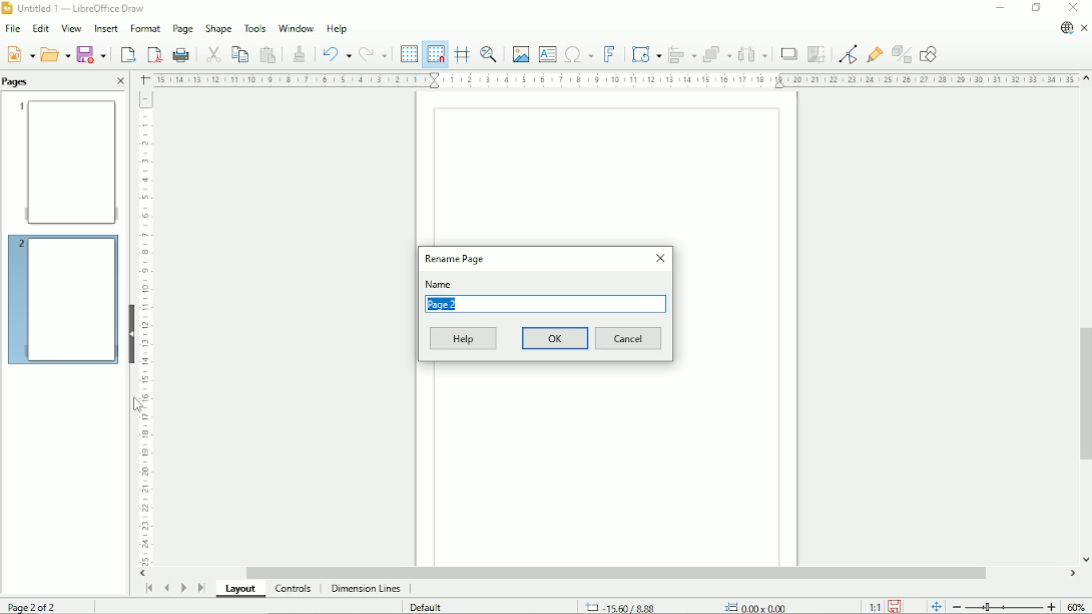 This screenshot has height=614, width=1092. Describe the element at coordinates (218, 28) in the screenshot. I see `Shape` at that location.